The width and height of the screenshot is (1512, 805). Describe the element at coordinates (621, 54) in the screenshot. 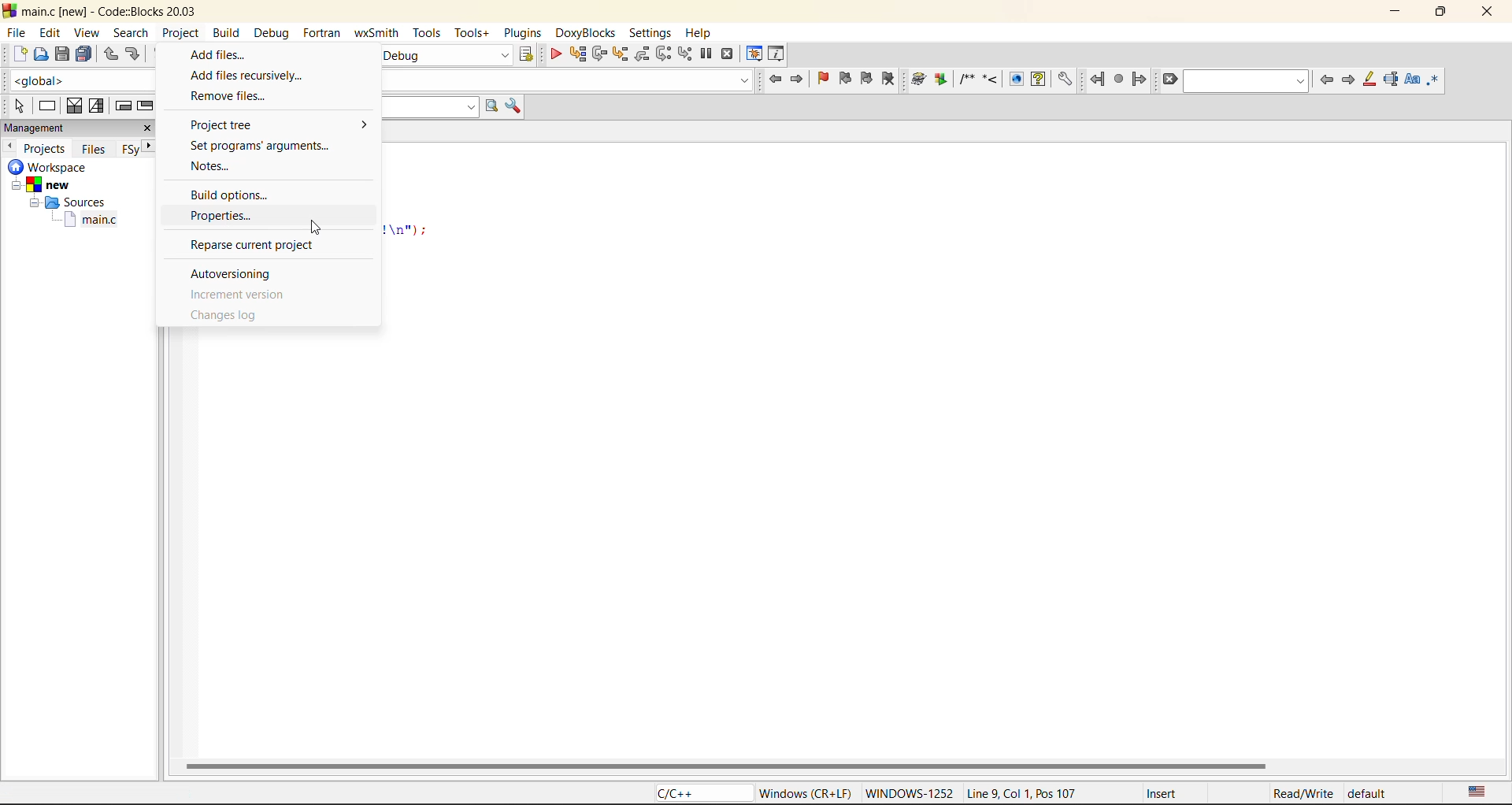

I see `step into` at that location.